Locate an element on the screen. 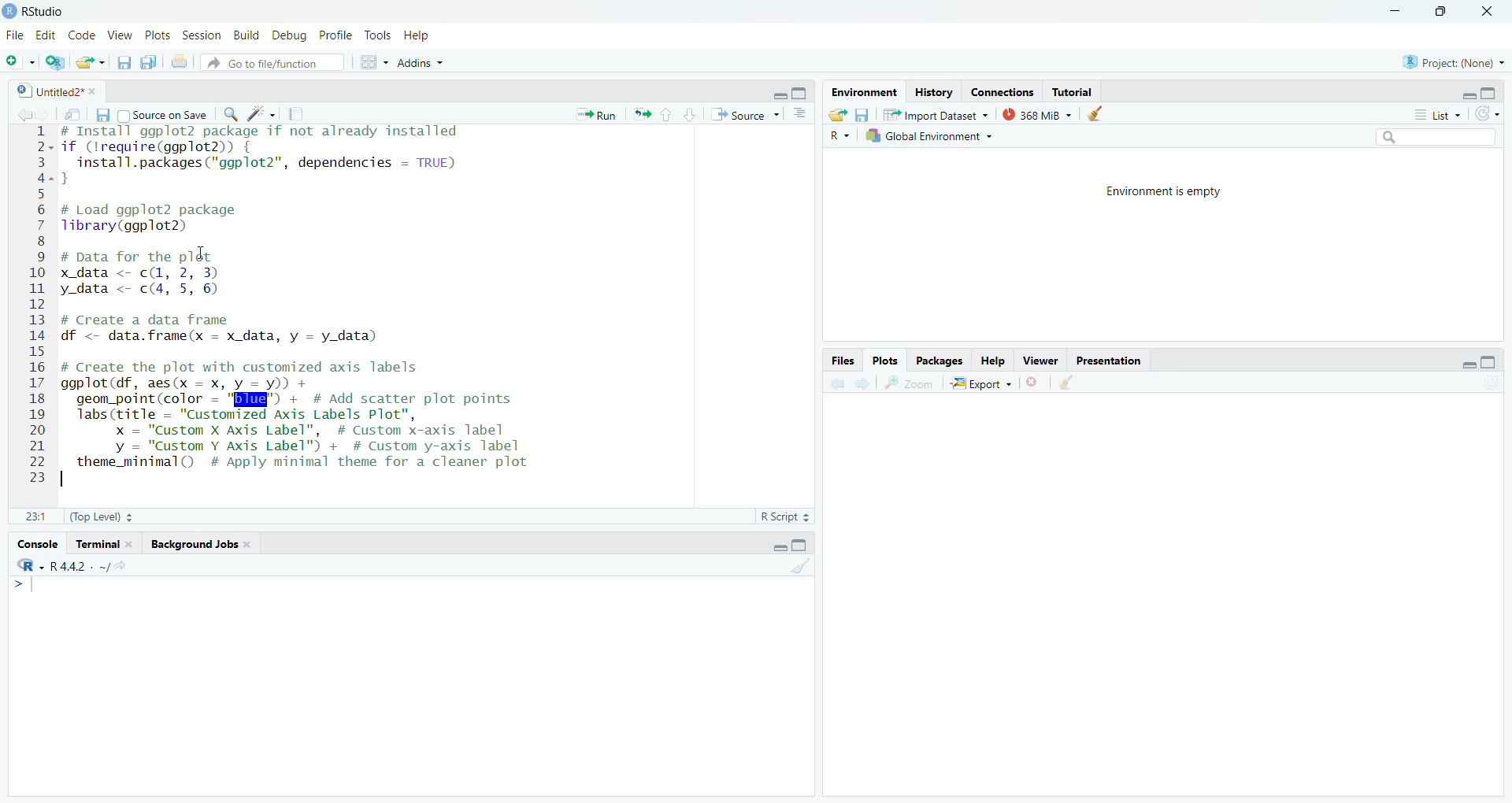  maximise is located at coordinates (806, 546).